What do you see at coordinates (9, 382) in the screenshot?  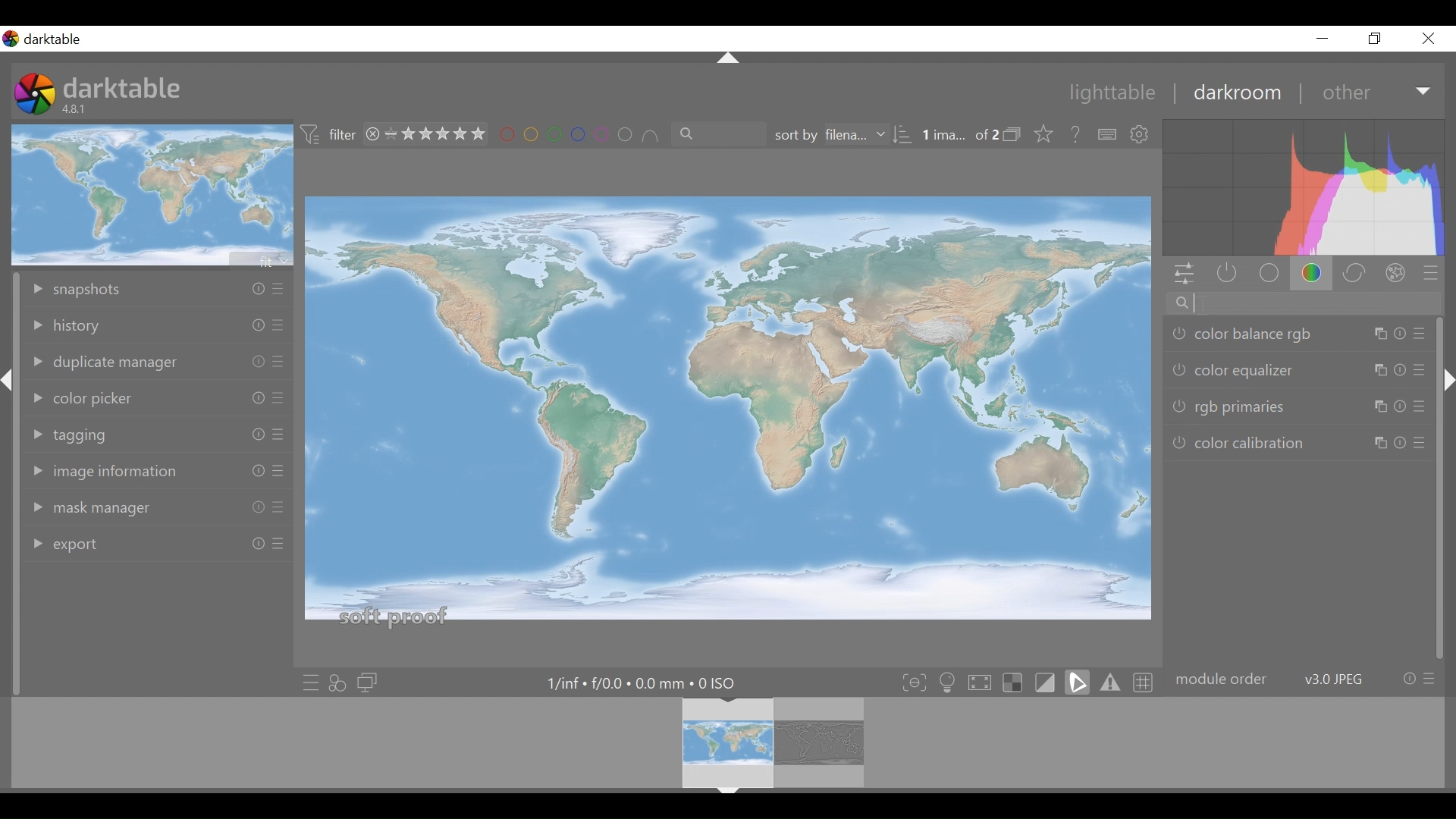 I see `expand/collapse` at bounding box center [9, 382].